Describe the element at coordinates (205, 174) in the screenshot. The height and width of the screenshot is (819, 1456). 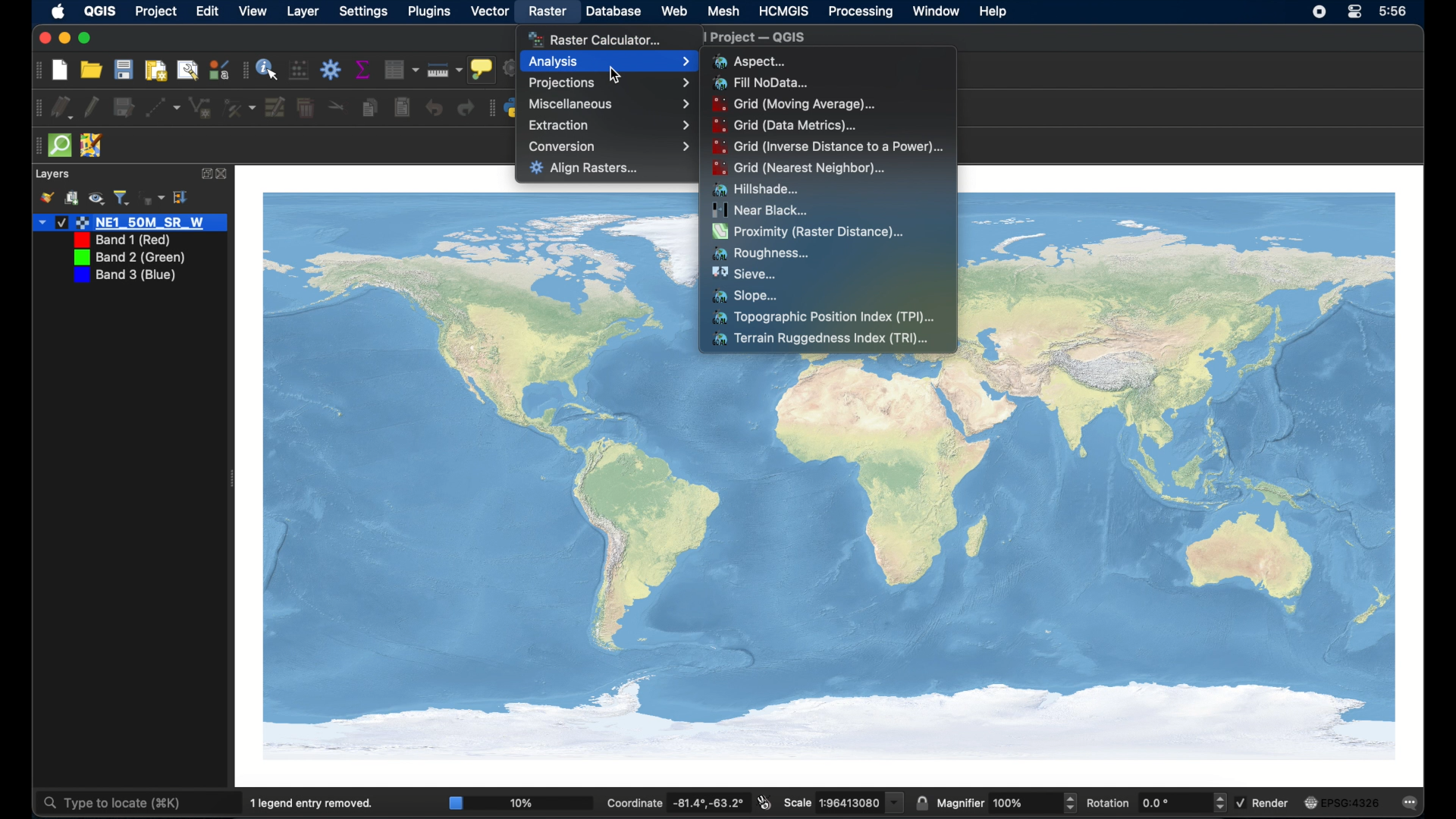
I see `expand ` at that location.